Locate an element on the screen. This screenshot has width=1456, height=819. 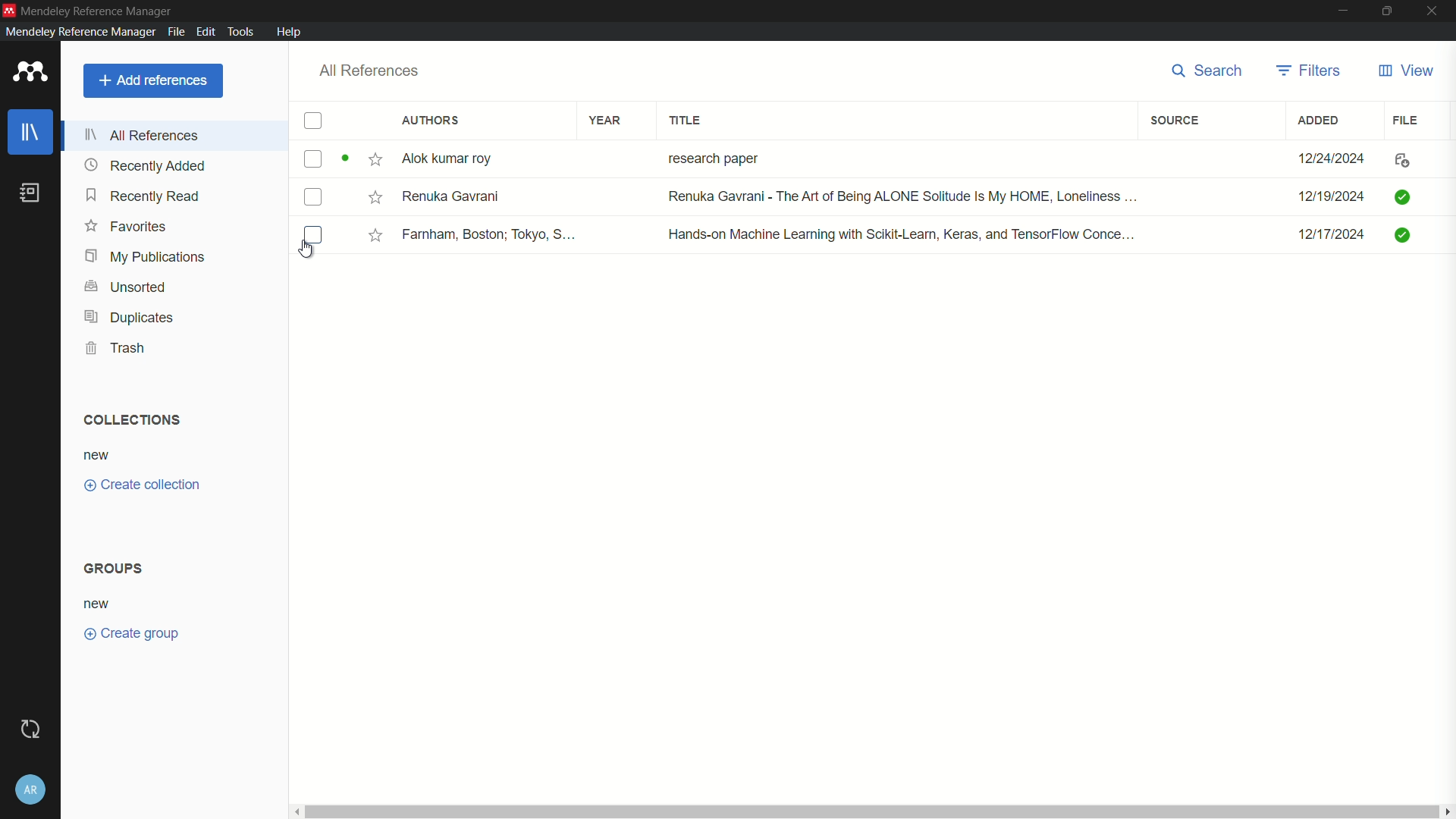
research paper is located at coordinates (711, 156).